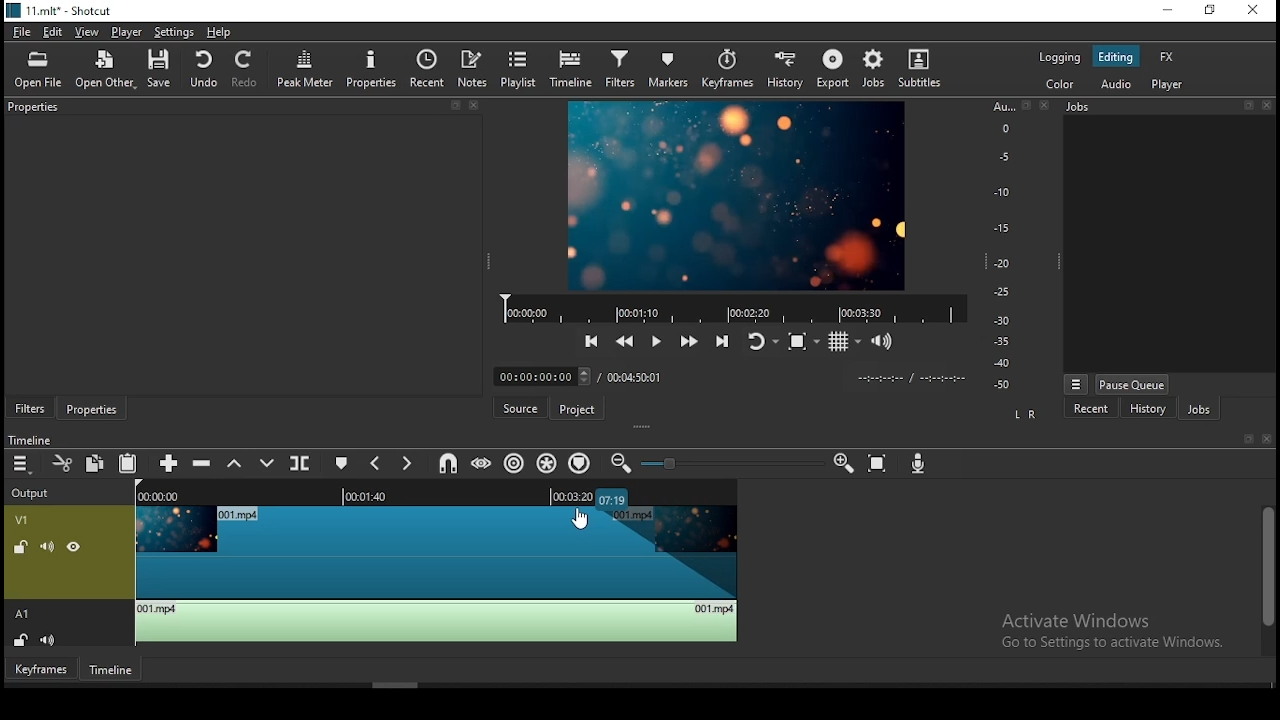 The width and height of the screenshot is (1280, 720). I want to click on editing, so click(1116, 57).